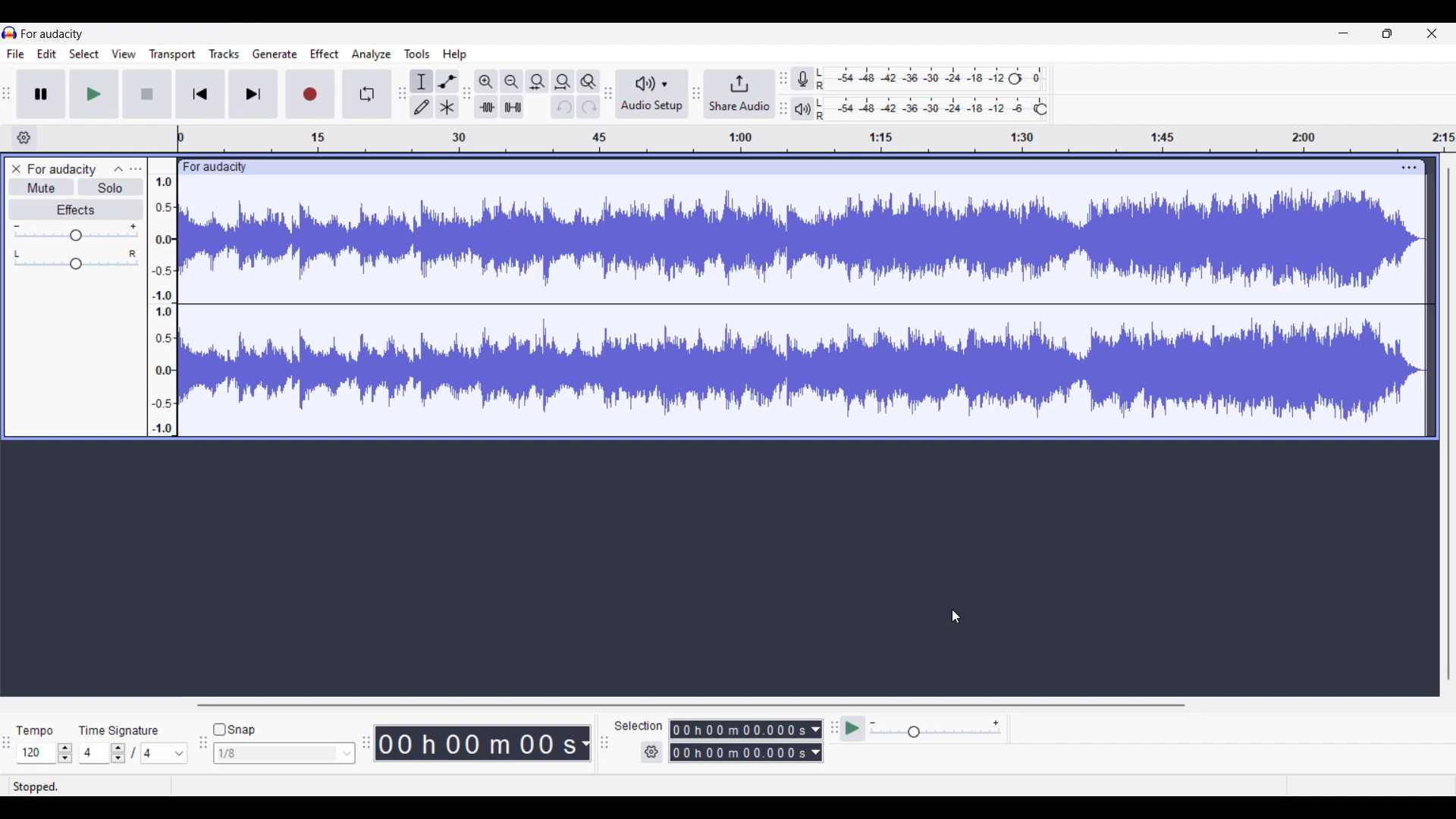 This screenshot has height=819, width=1456. What do you see at coordinates (447, 107) in the screenshot?
I see `Multi-tool` at bounding box center [447, 107].